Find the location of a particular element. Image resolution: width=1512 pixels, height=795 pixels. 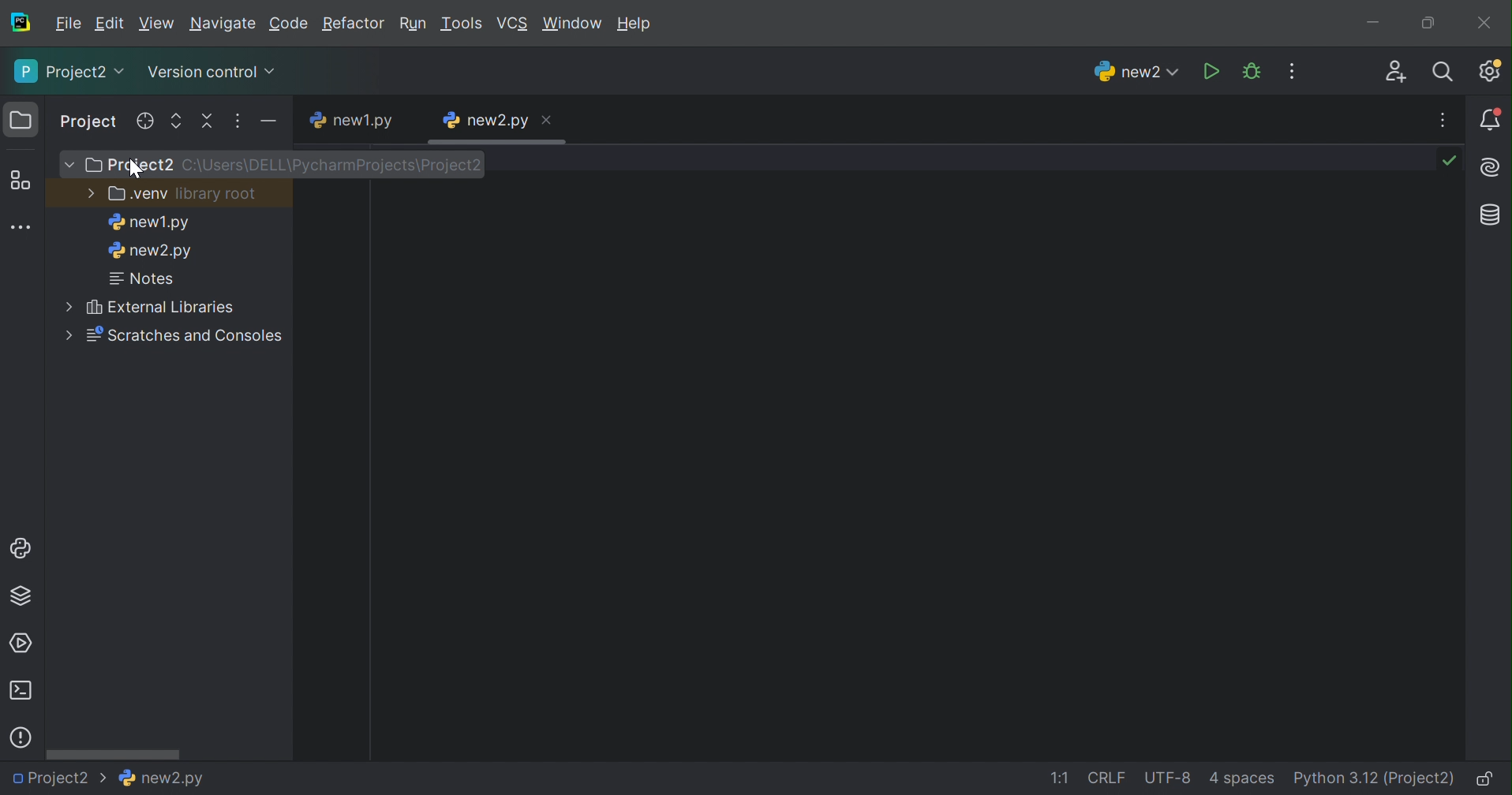

CRLF is located at coordinates (1108, 778).